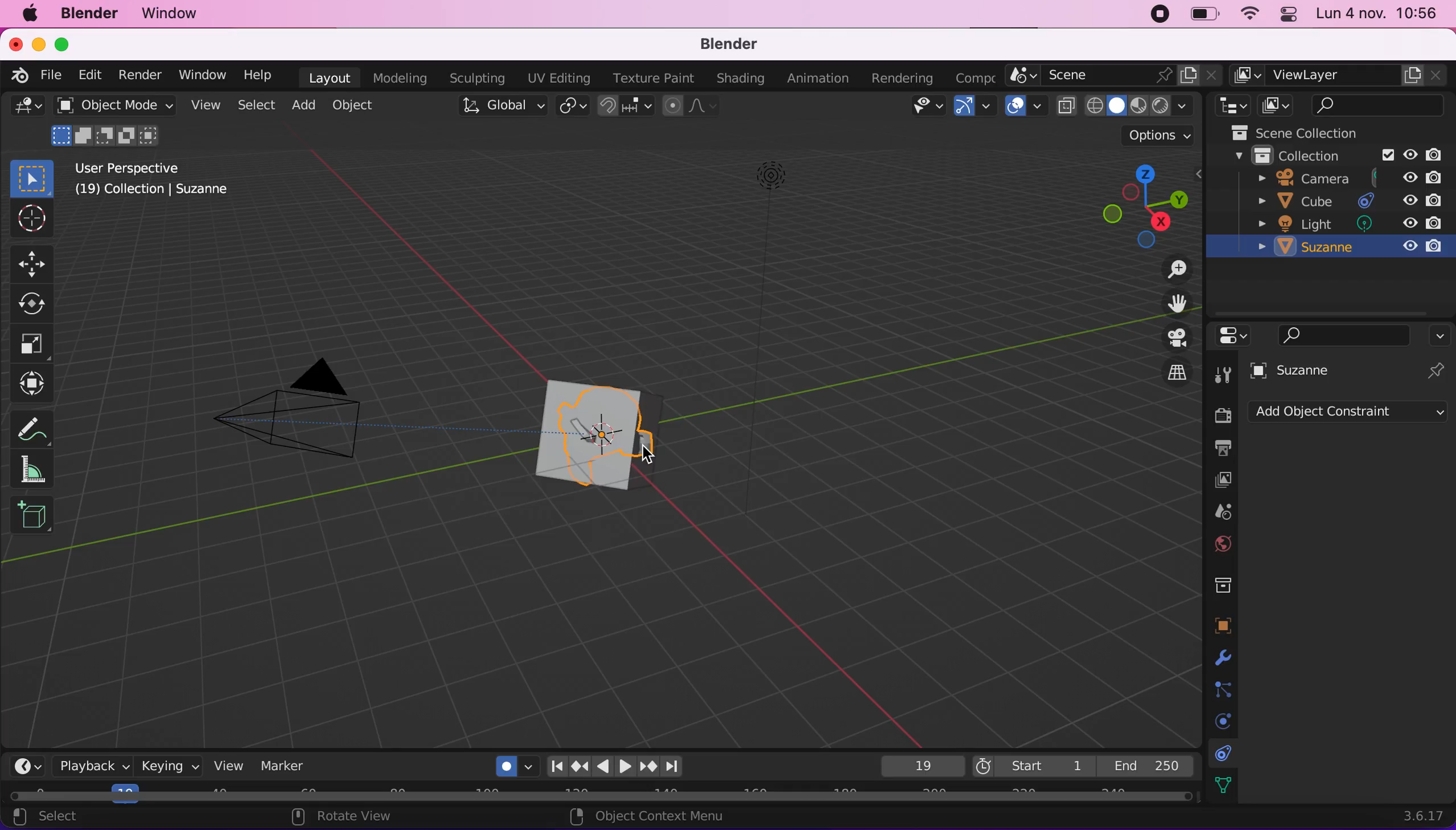 The width and height of the screenshot is (1456, 830). Describe the element at coordinates (1176, 372) in the screenshot. I see `switch the current view` at that location.